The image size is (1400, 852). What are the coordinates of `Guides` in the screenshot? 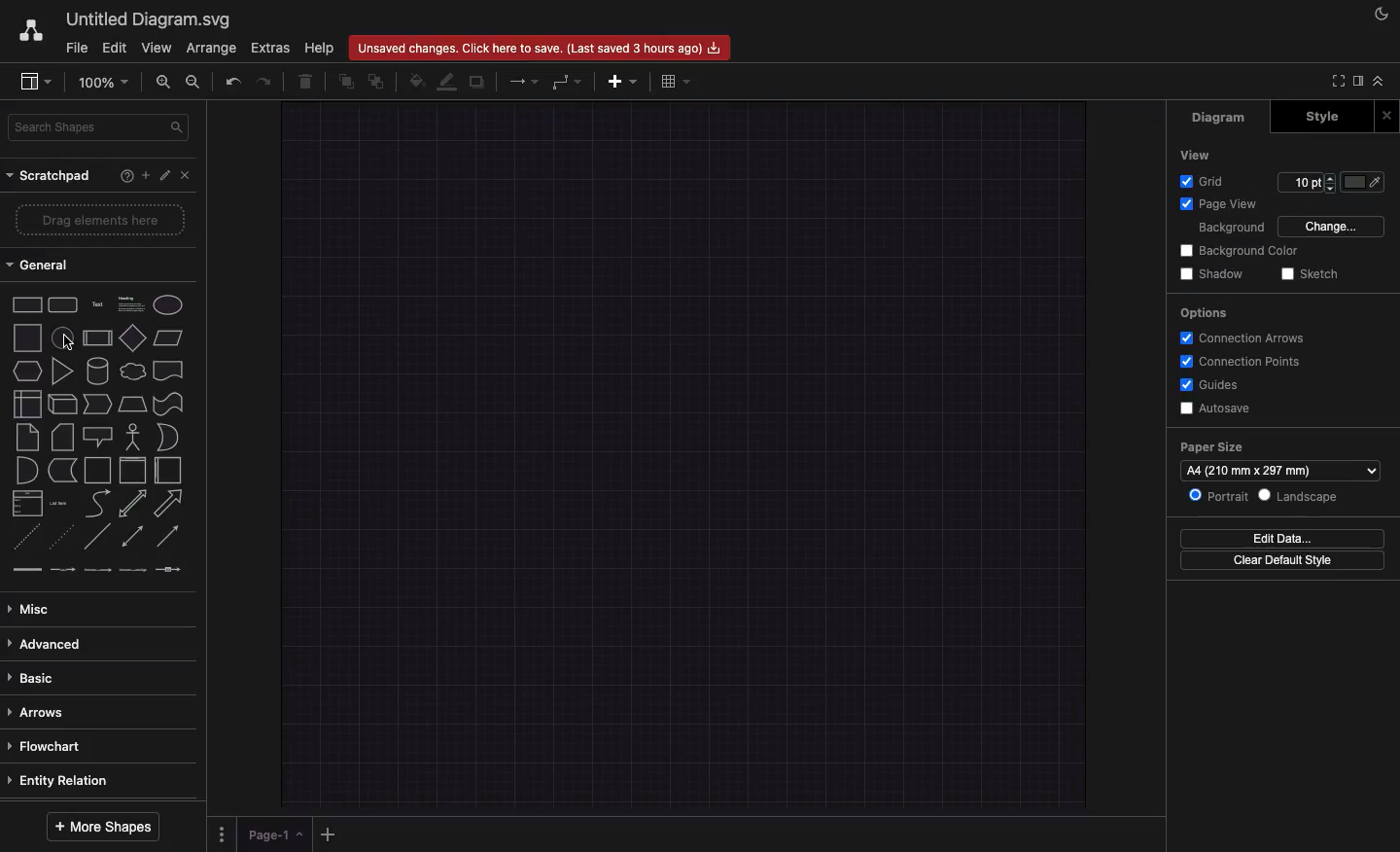 It's located at (1213, 385).